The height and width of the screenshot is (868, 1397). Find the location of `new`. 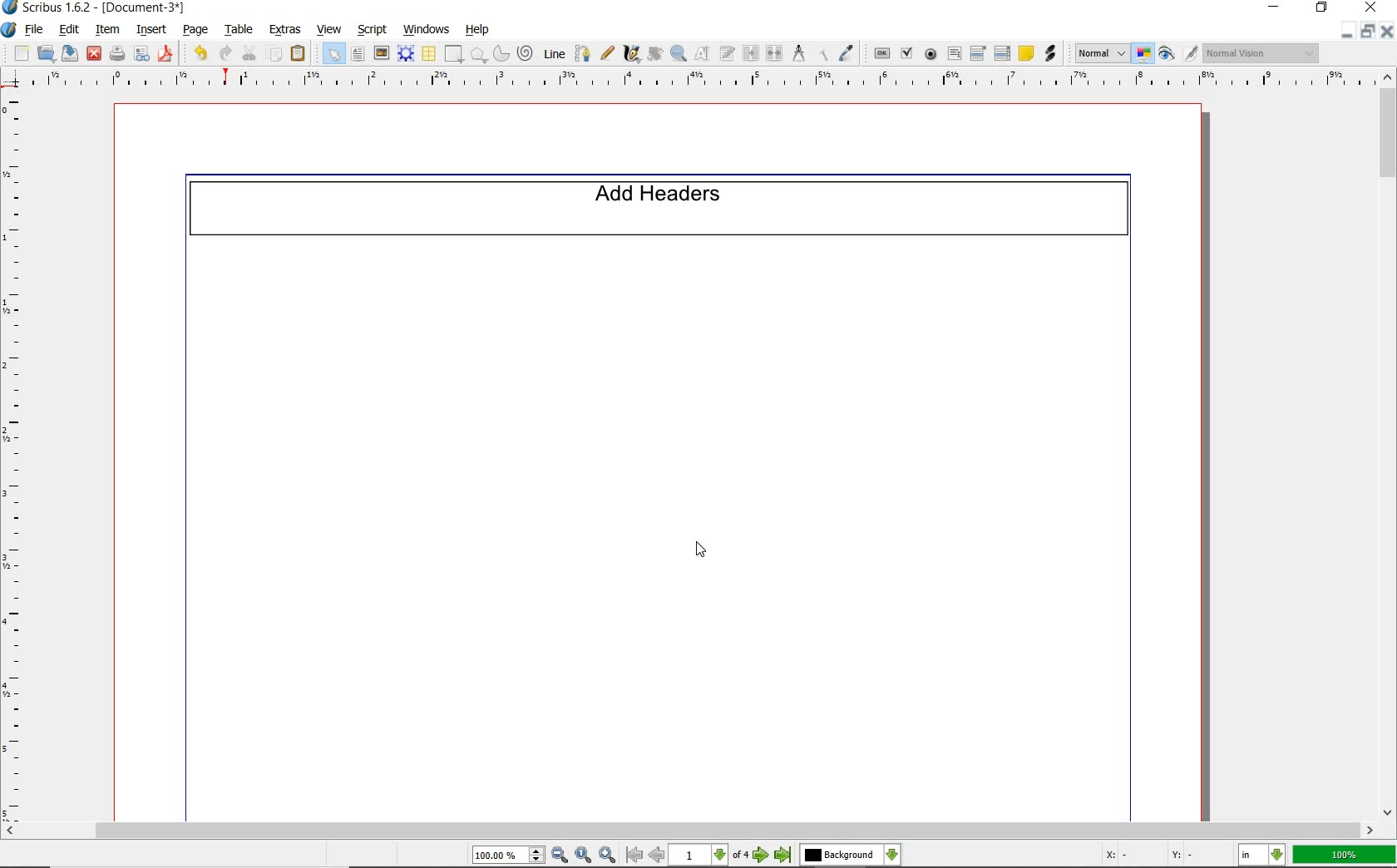

new is located at coordinates (21, 52).